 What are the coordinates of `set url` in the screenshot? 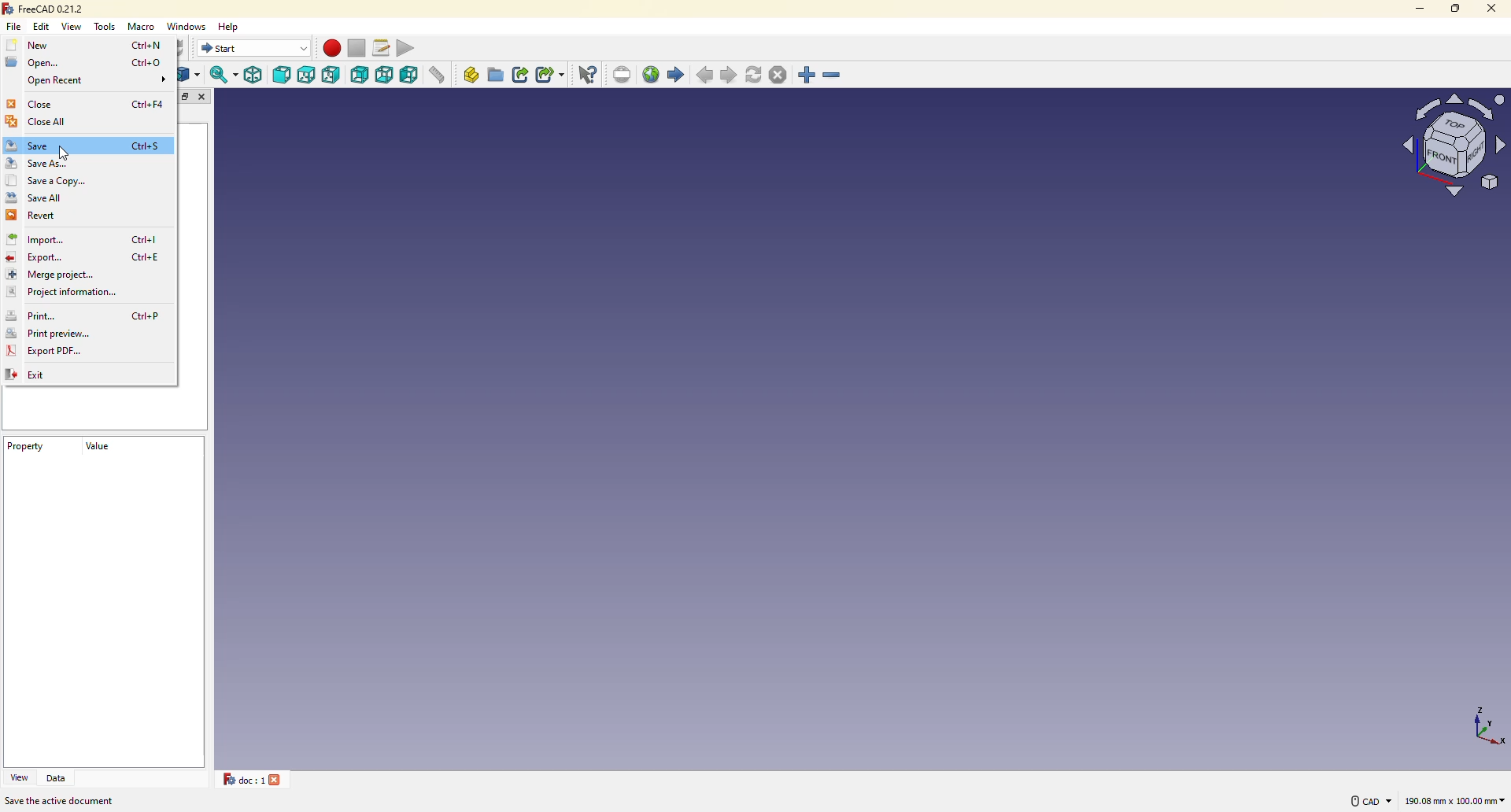 It's located at (623, 74).